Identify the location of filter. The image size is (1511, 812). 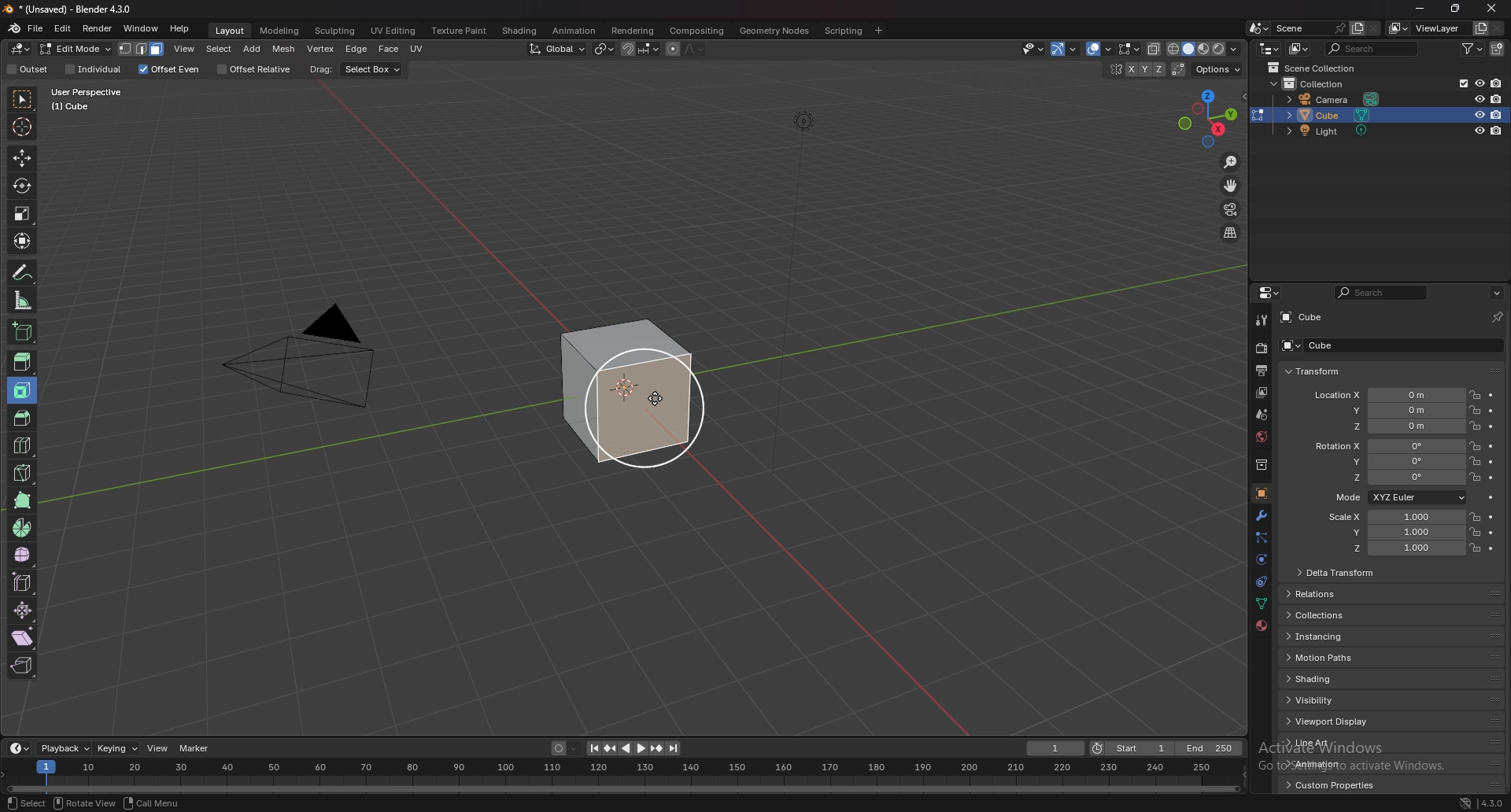
(1471, 49).